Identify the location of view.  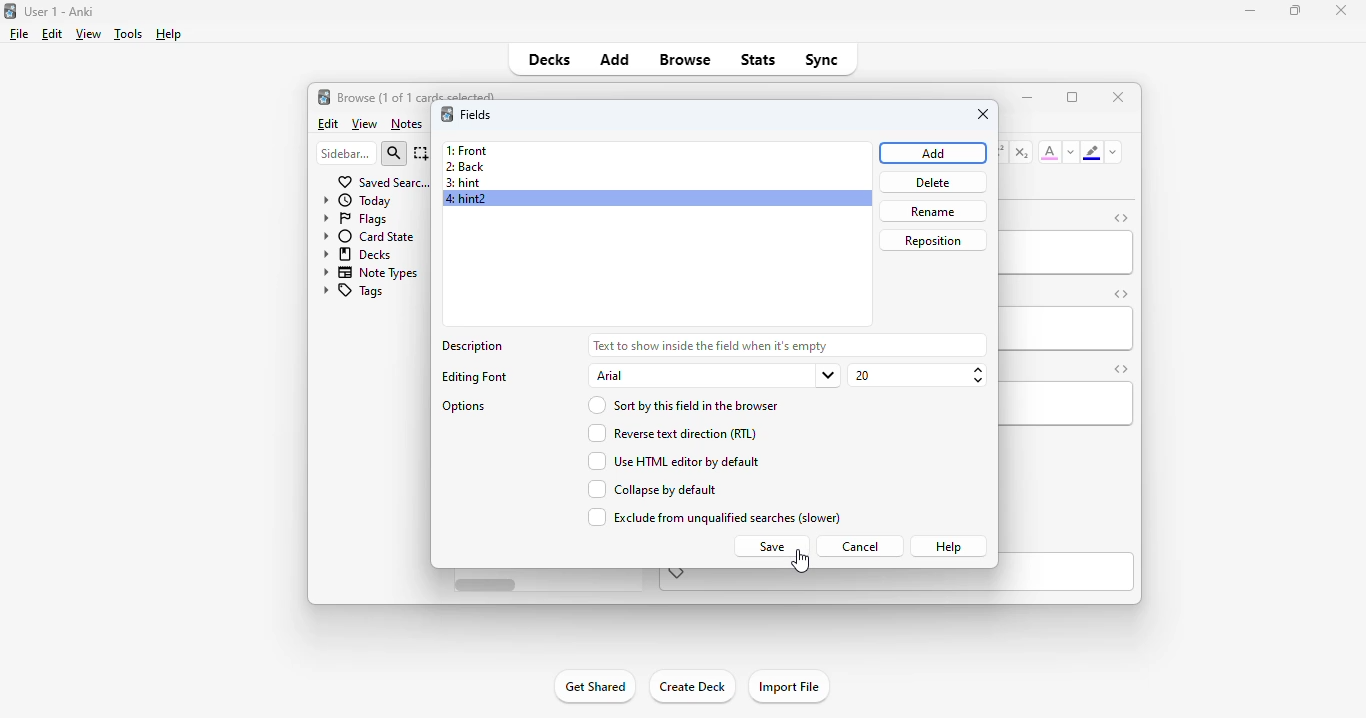
(88, 33).